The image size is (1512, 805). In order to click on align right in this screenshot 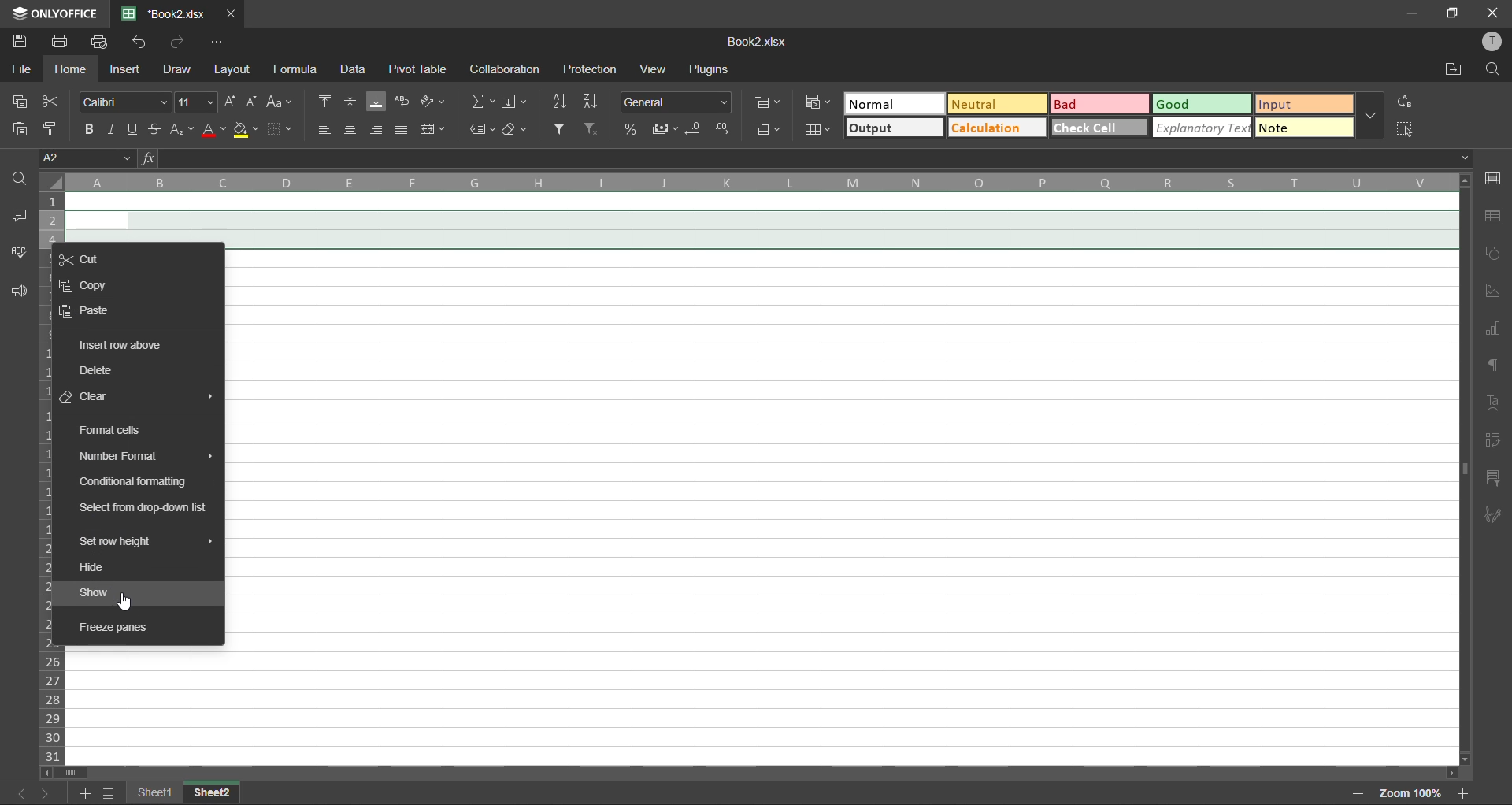, I will do `click(377, 130)`.